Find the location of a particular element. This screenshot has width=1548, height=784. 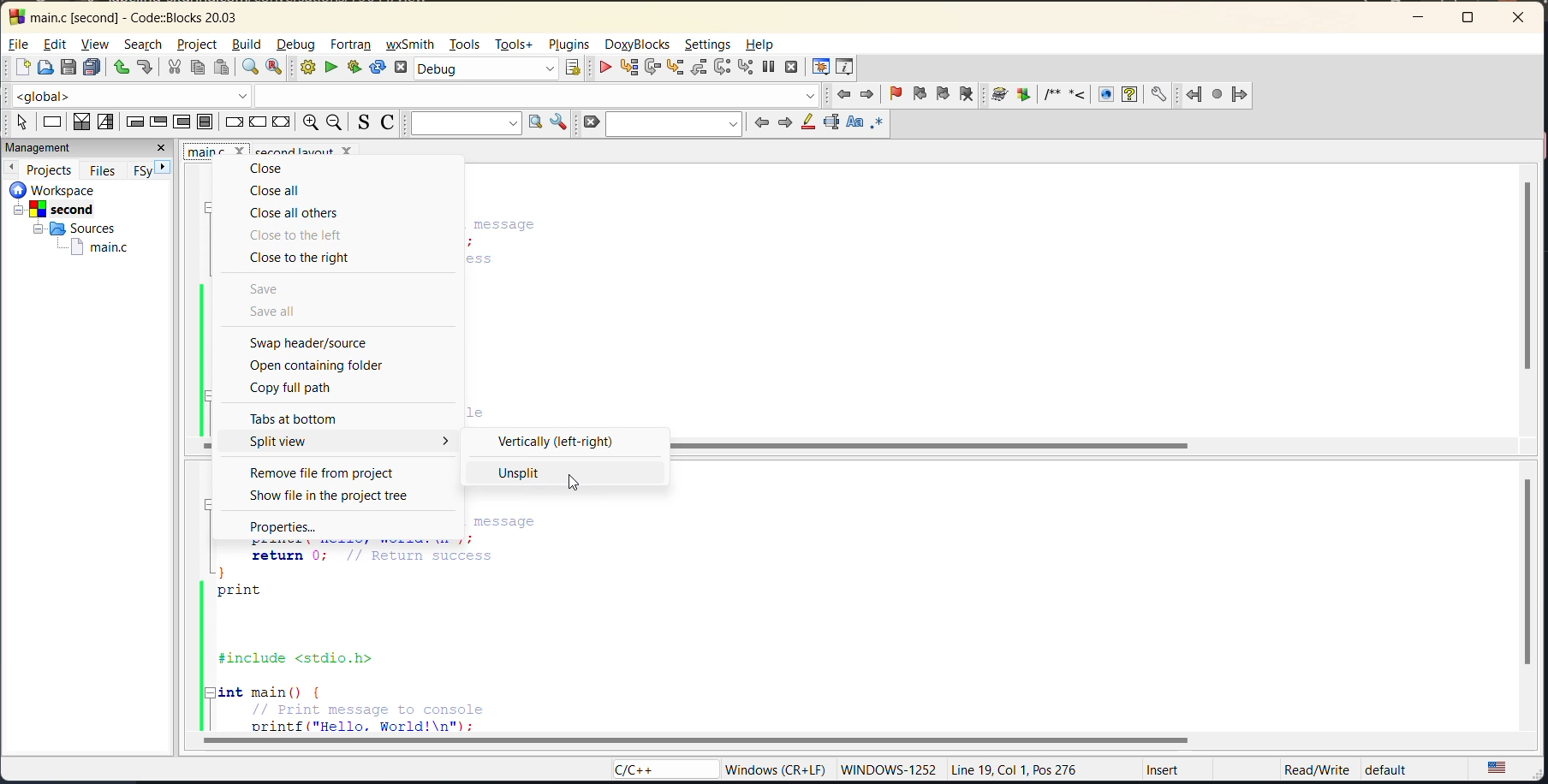

show file in the project tree is located at coordinates (336, 497).